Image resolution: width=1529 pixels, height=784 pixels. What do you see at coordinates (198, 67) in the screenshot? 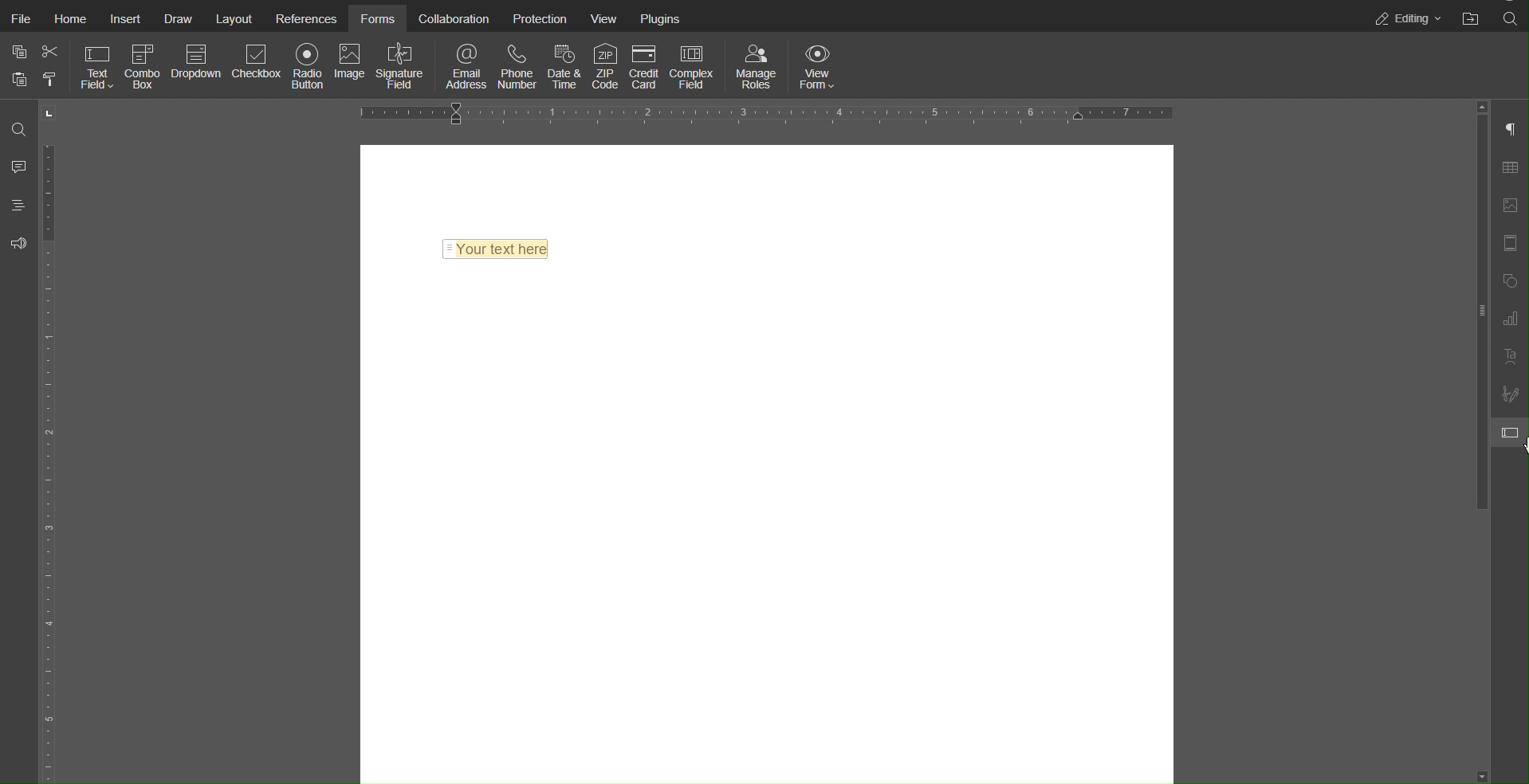
I see `Dropdown` at bounding box center [198, 67].